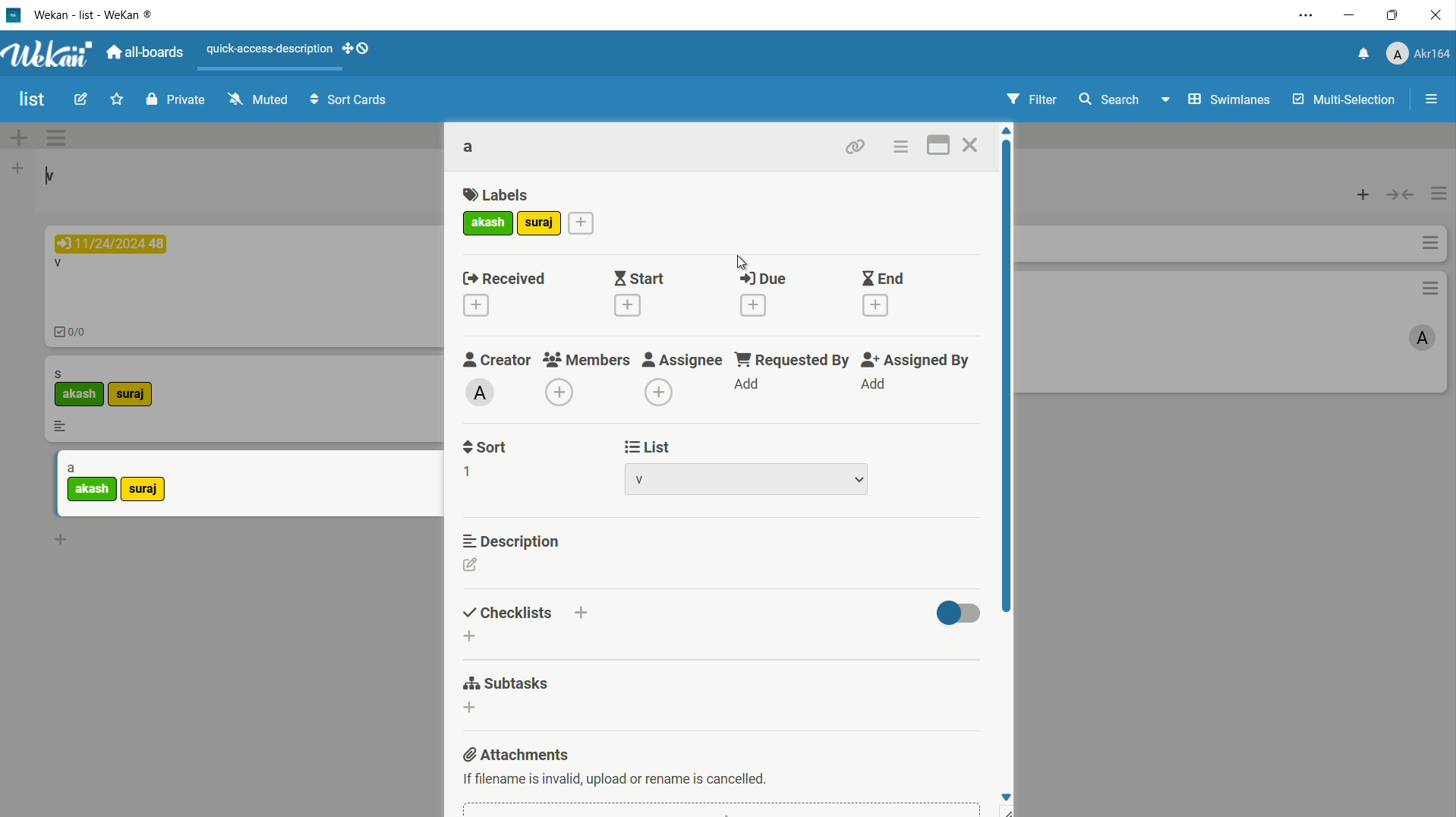 The height and width of the screenshot is (817, 1456). I want to click on 0/0, so click(77, 332).